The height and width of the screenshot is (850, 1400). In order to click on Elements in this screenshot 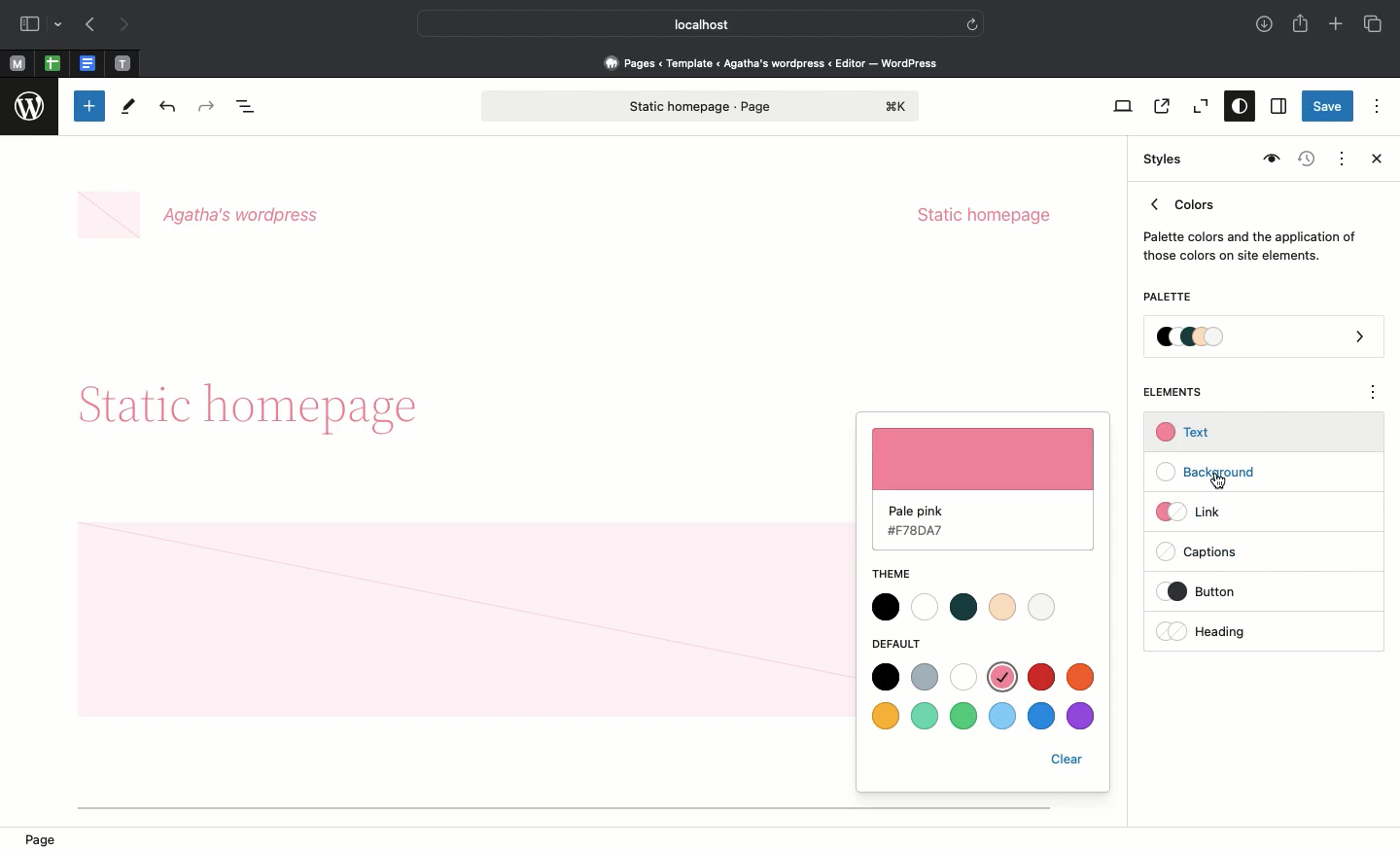, I will do `click(1183, 392)`.